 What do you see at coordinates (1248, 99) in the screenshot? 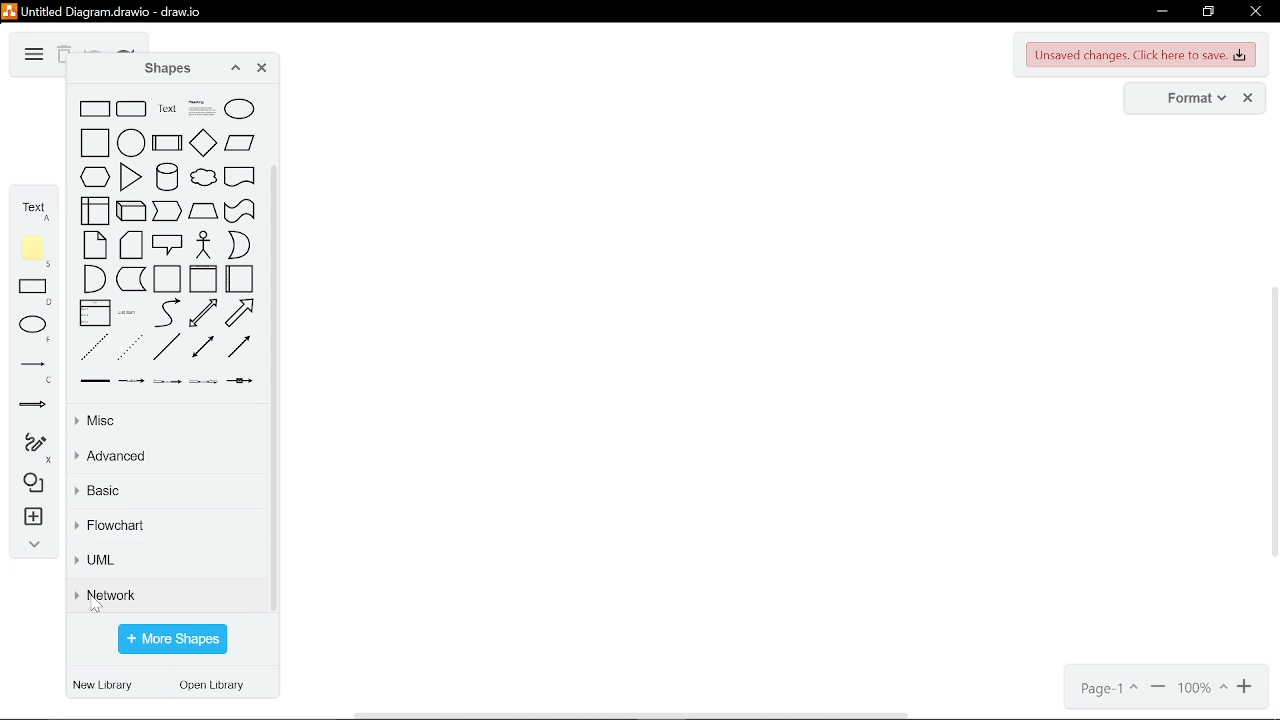
I see `close` at bounding box center [1248, 99].